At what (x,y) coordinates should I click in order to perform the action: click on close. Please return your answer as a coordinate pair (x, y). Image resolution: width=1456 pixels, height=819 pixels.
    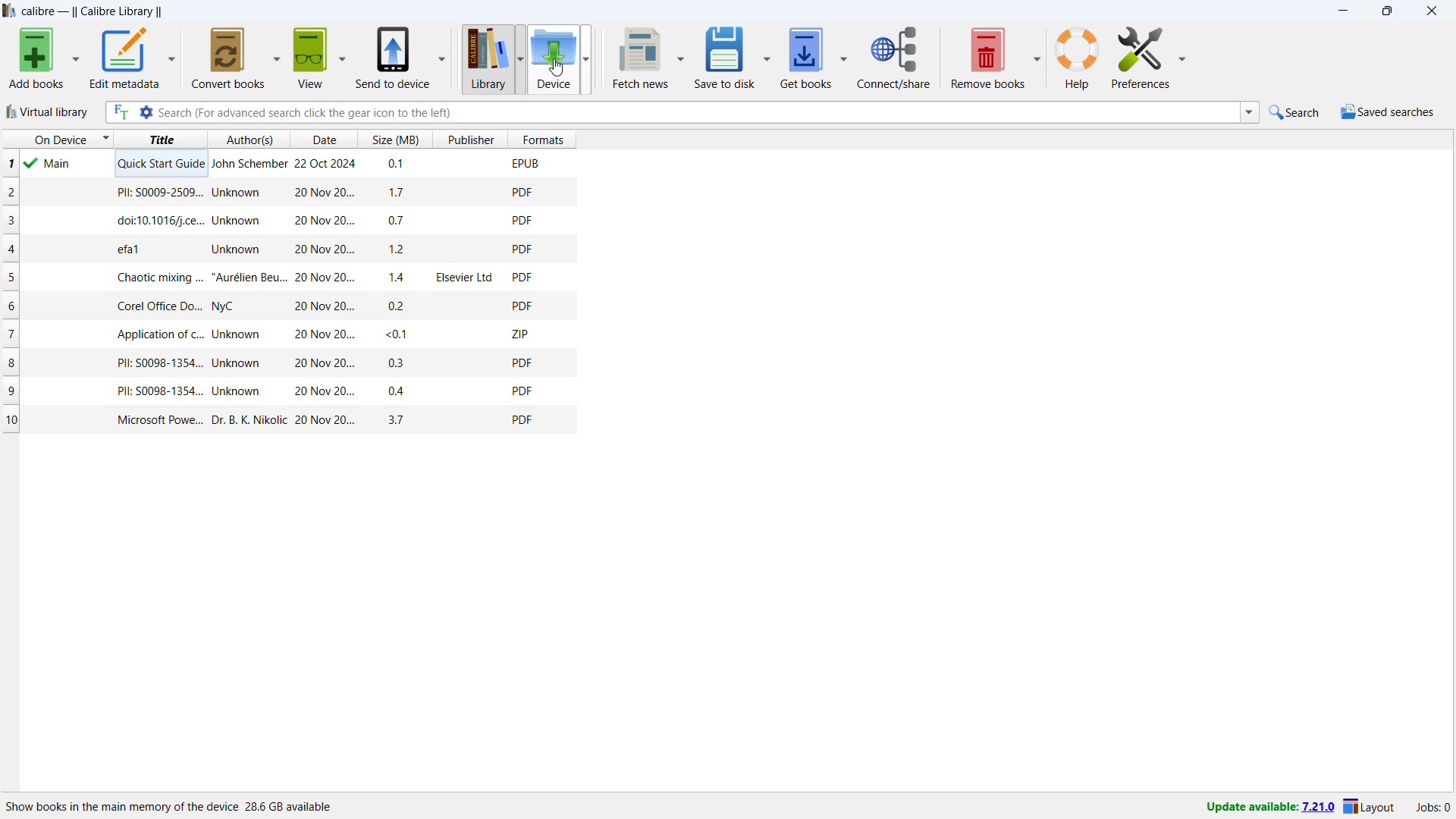
    Looking at the image, I should click on (1430, 11).